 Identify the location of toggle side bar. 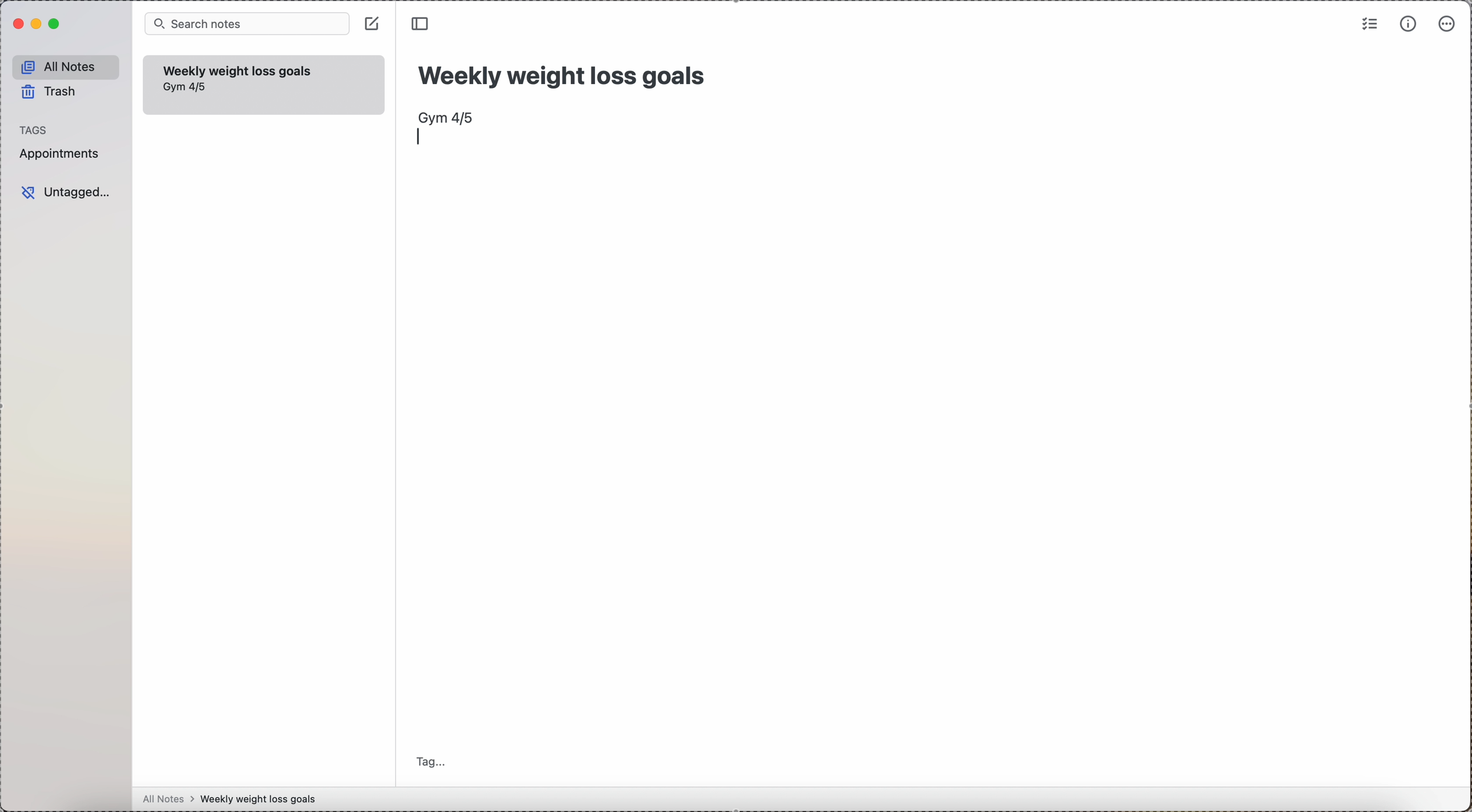
(423, 24).